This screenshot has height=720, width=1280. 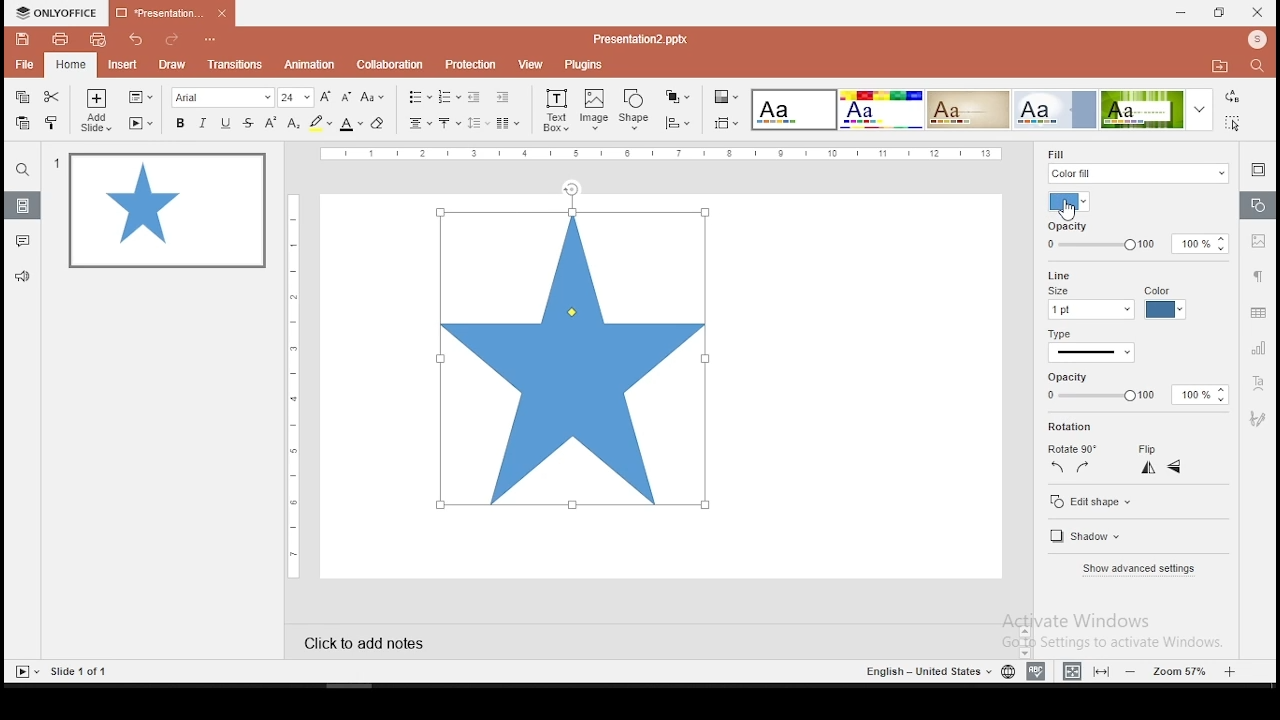 What do you see at coordinates (1258, 12) in the screenshot?
I see `close window` at bounding box center [1258, 12].